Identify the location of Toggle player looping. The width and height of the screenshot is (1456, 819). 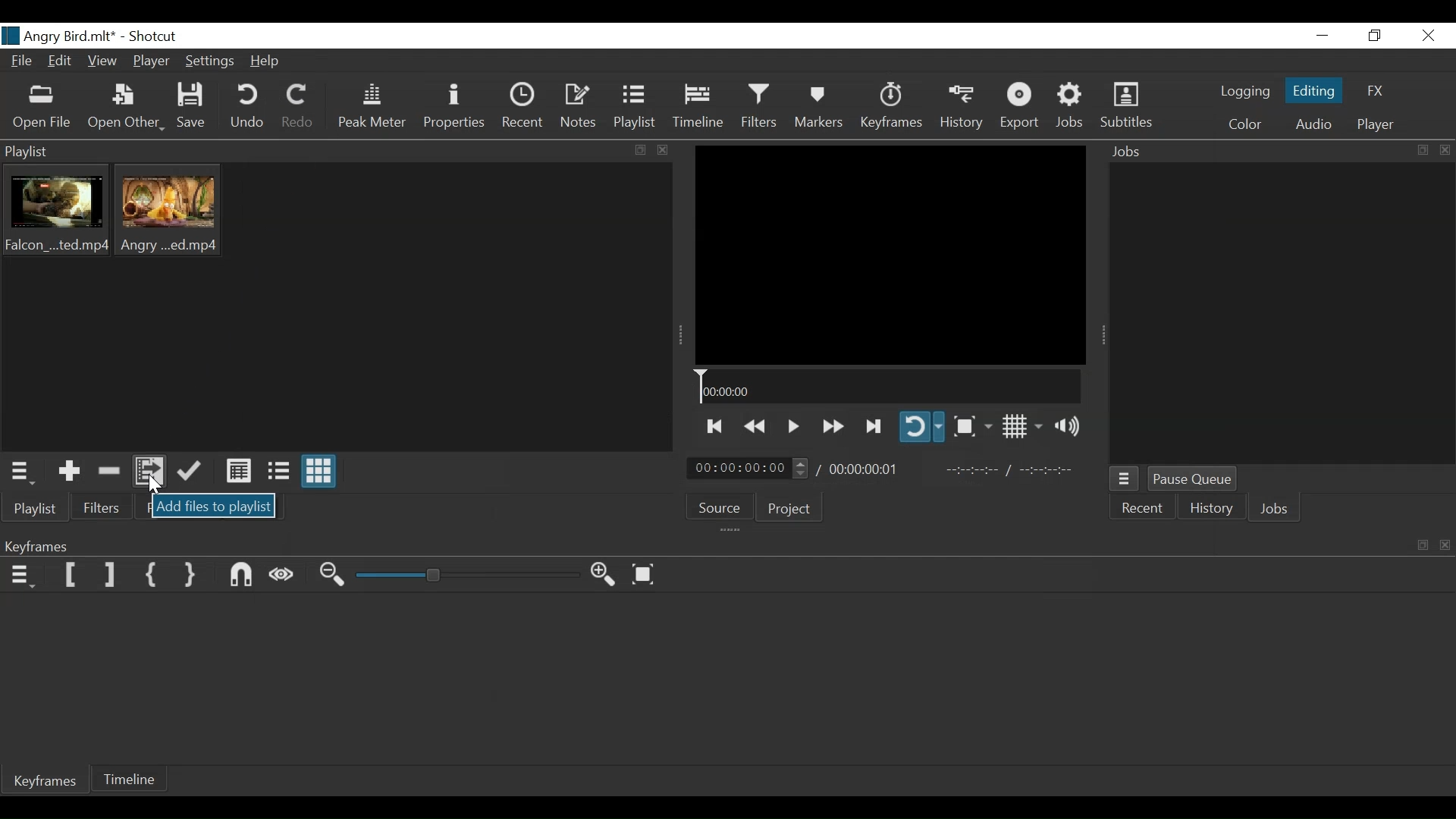
(921, 425).